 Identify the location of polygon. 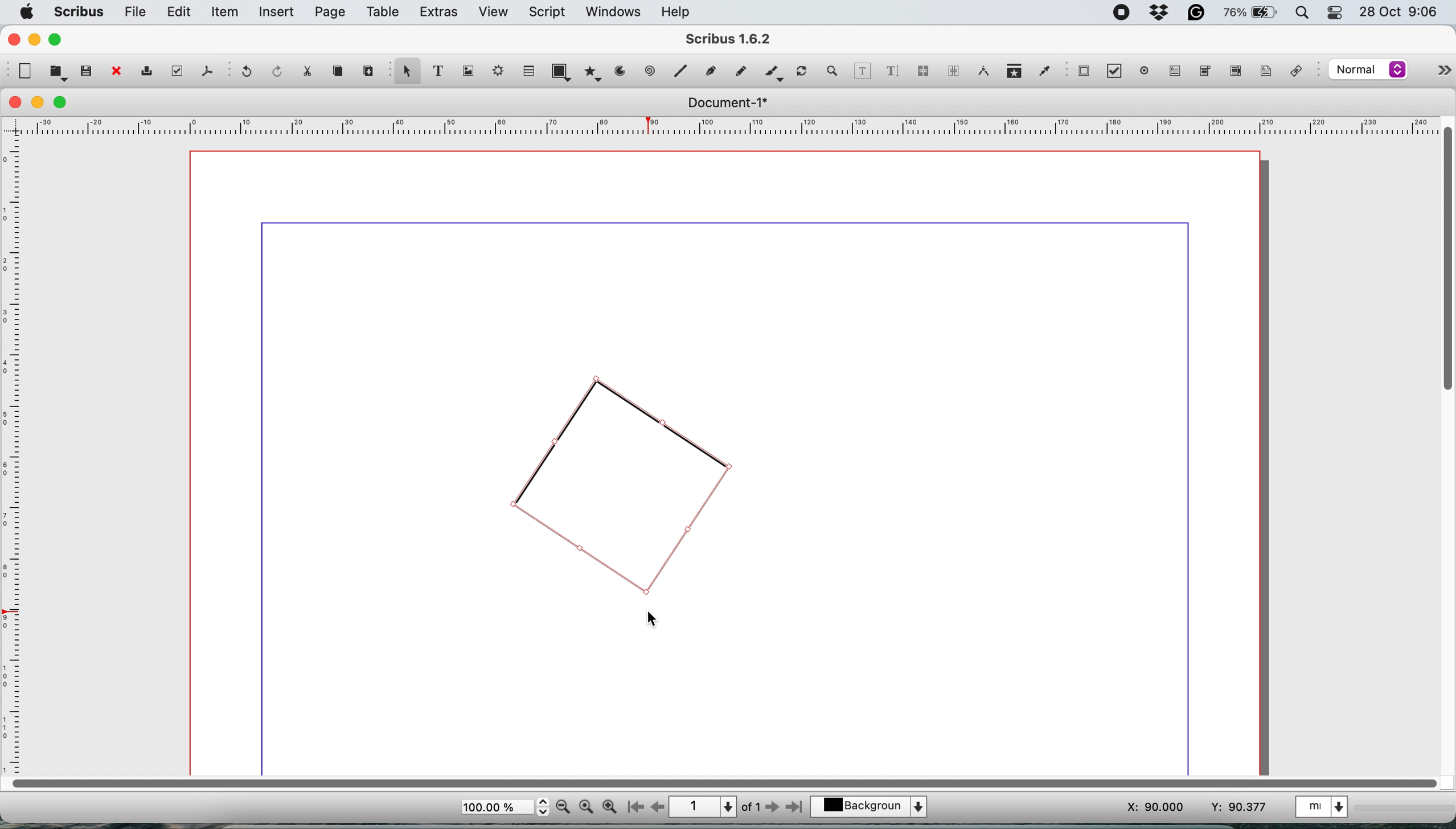
(592, 75).